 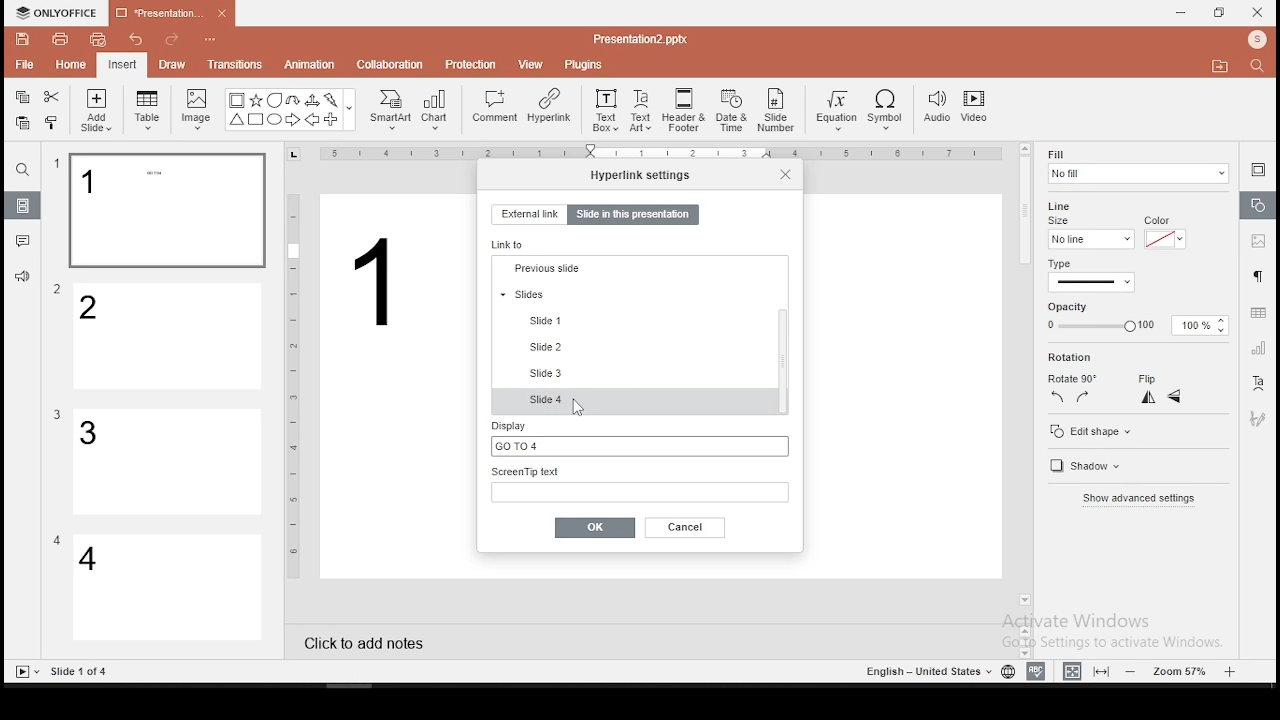 I want to click on clone formatting, so click(x=55, y=125).